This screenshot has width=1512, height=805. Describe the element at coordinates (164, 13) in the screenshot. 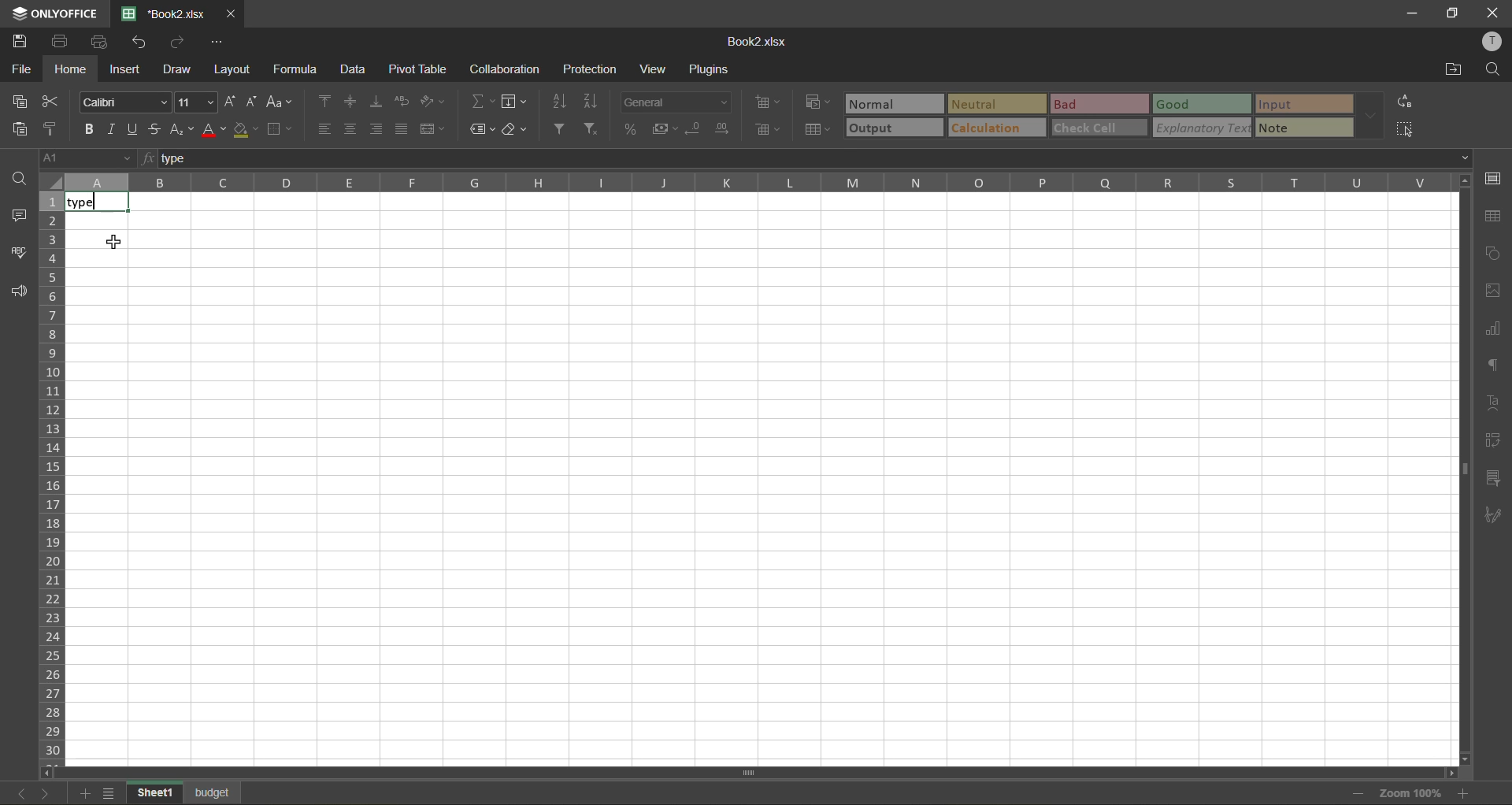

I see `filename` at that location.